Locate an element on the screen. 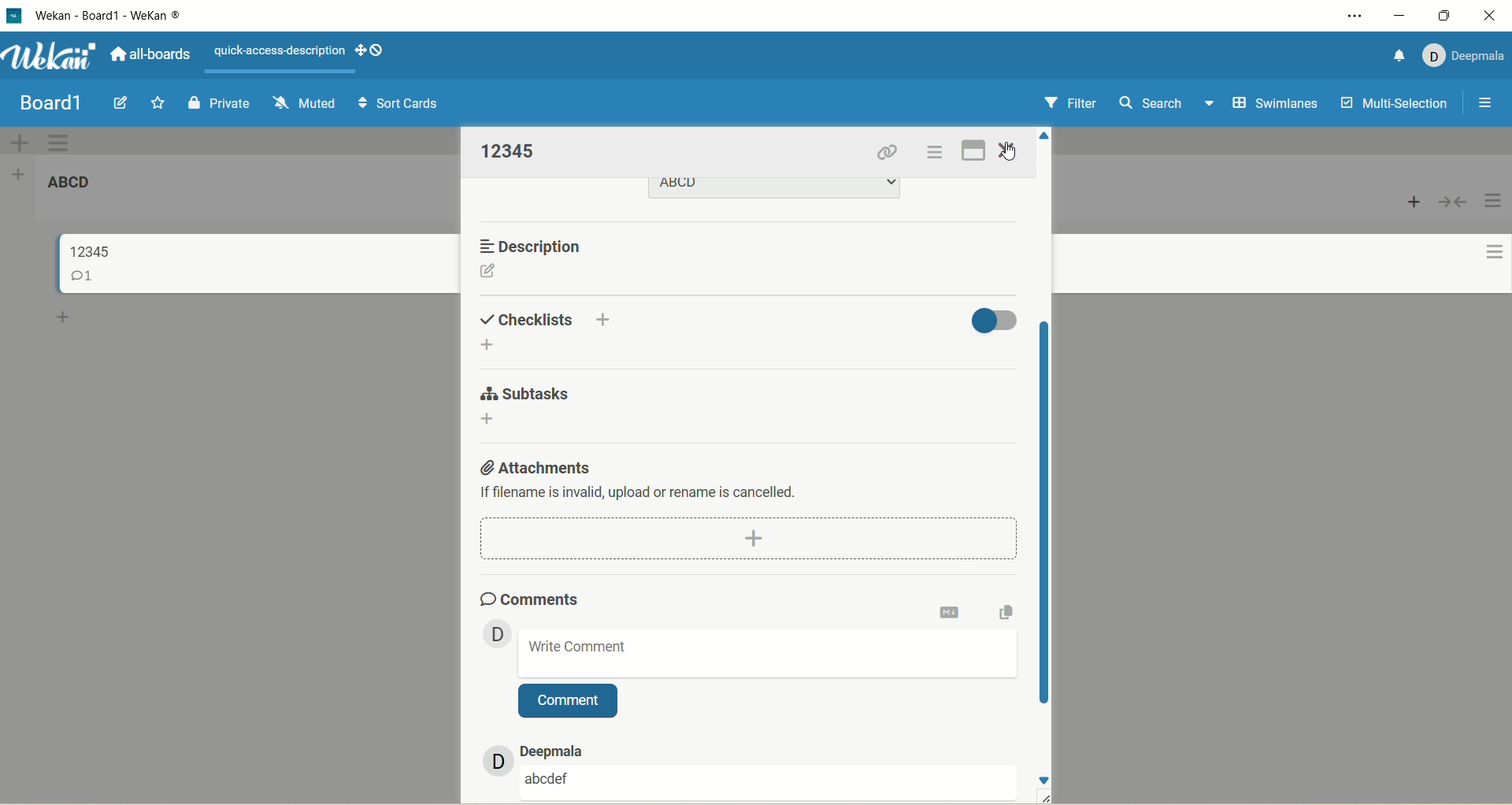 Image resolution: width=1512 pixels, height=805 pixels. comments is located at coordinates (528, 596).